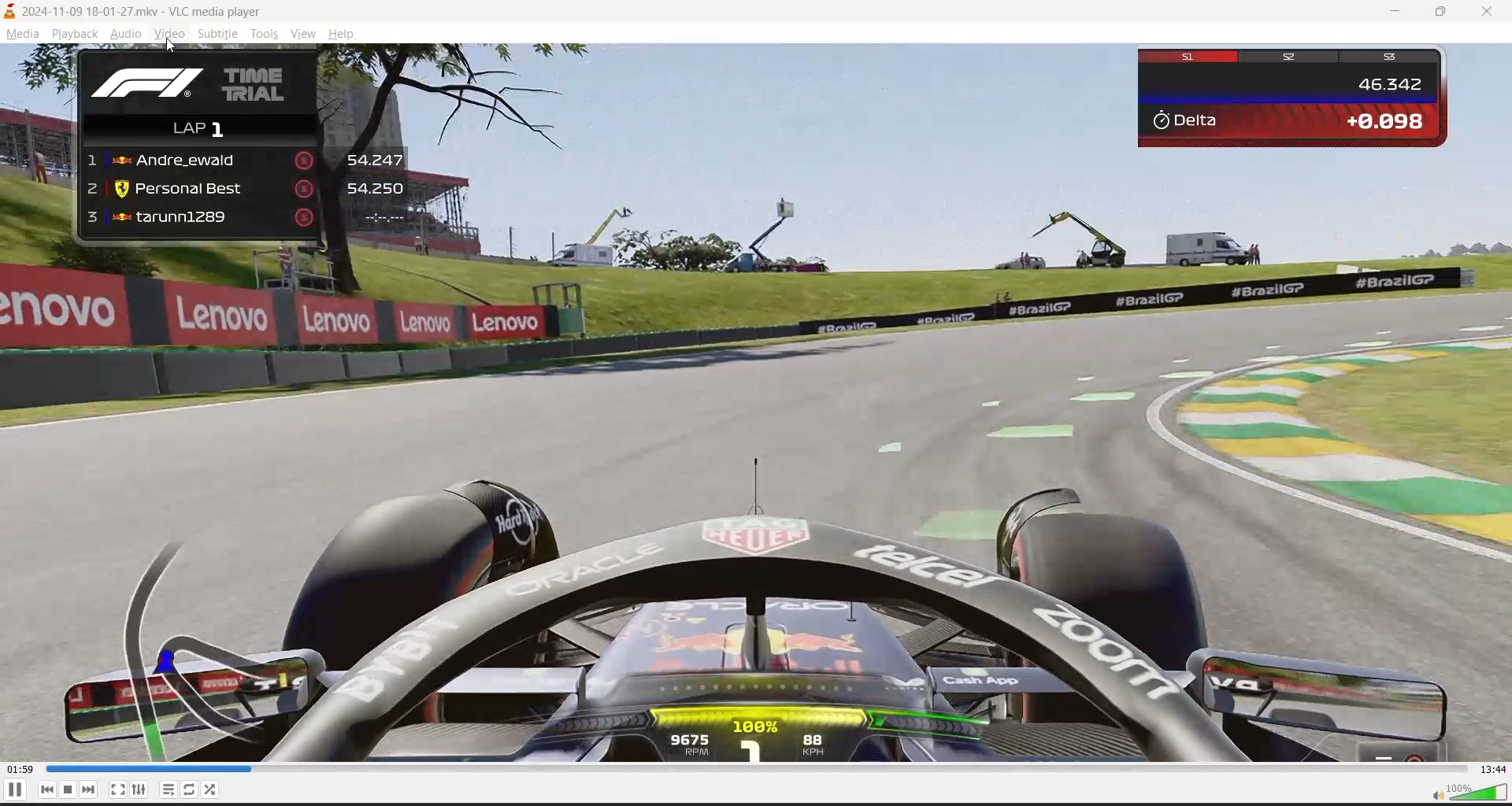 The height and width of the screenshot is (806, 1512). What do you see at coordinates (306, 35) in the screenshot?
I see `view` at bounding box center [306, 35].